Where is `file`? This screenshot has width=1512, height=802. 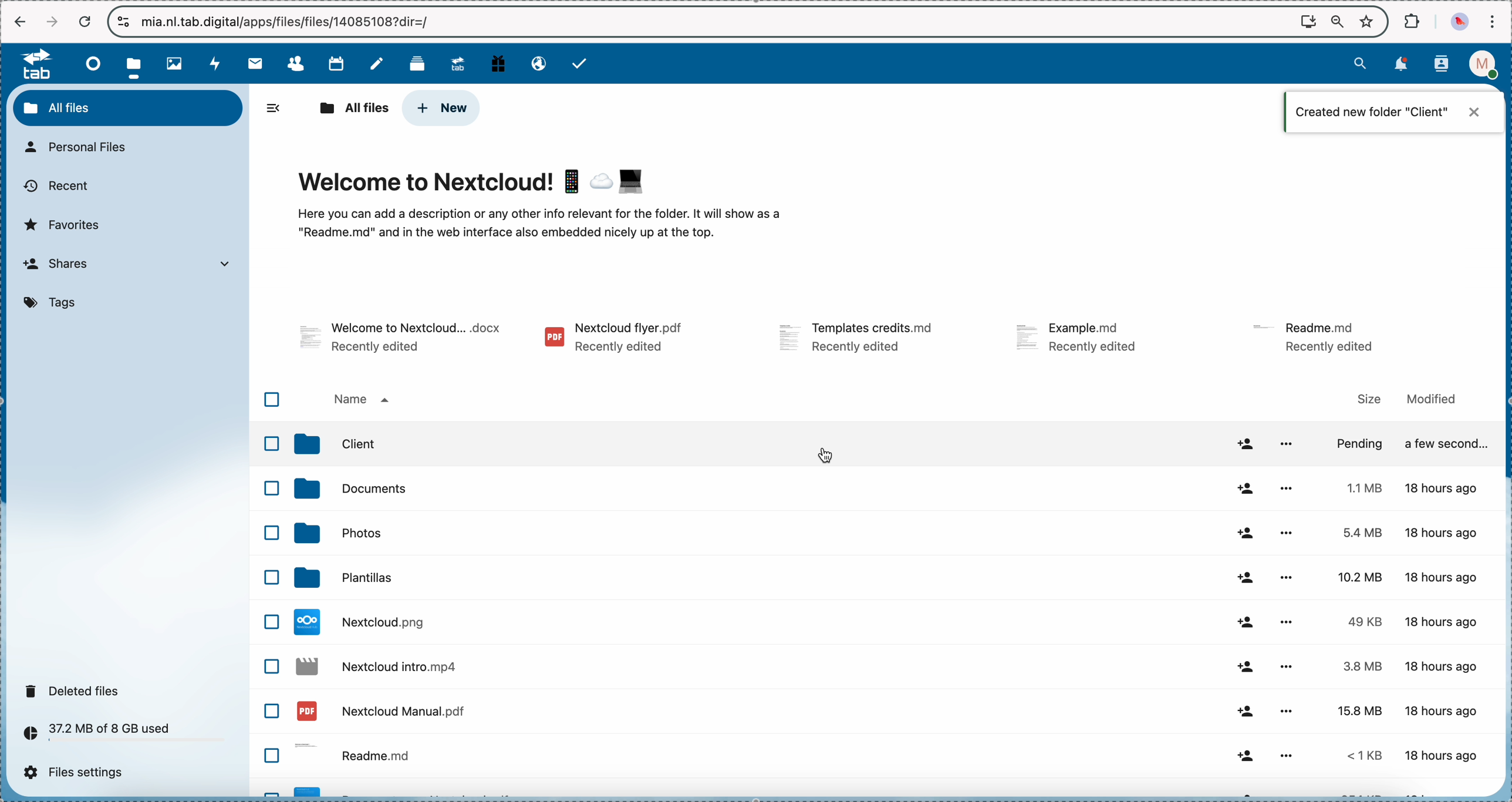
file is located at coordinates (751, 577).